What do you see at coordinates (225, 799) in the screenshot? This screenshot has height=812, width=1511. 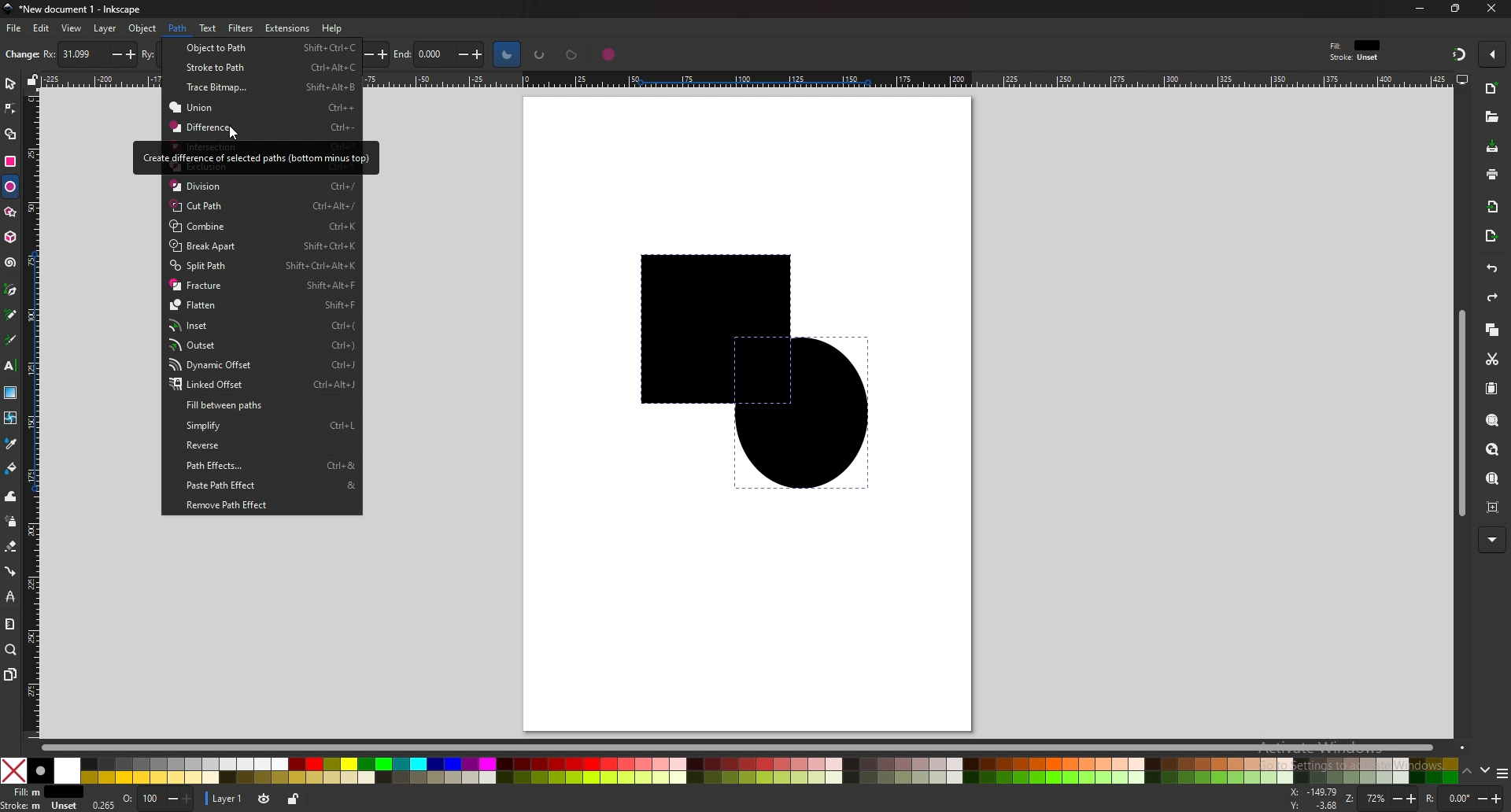 I see `layer` at bounding box center [225, 799].